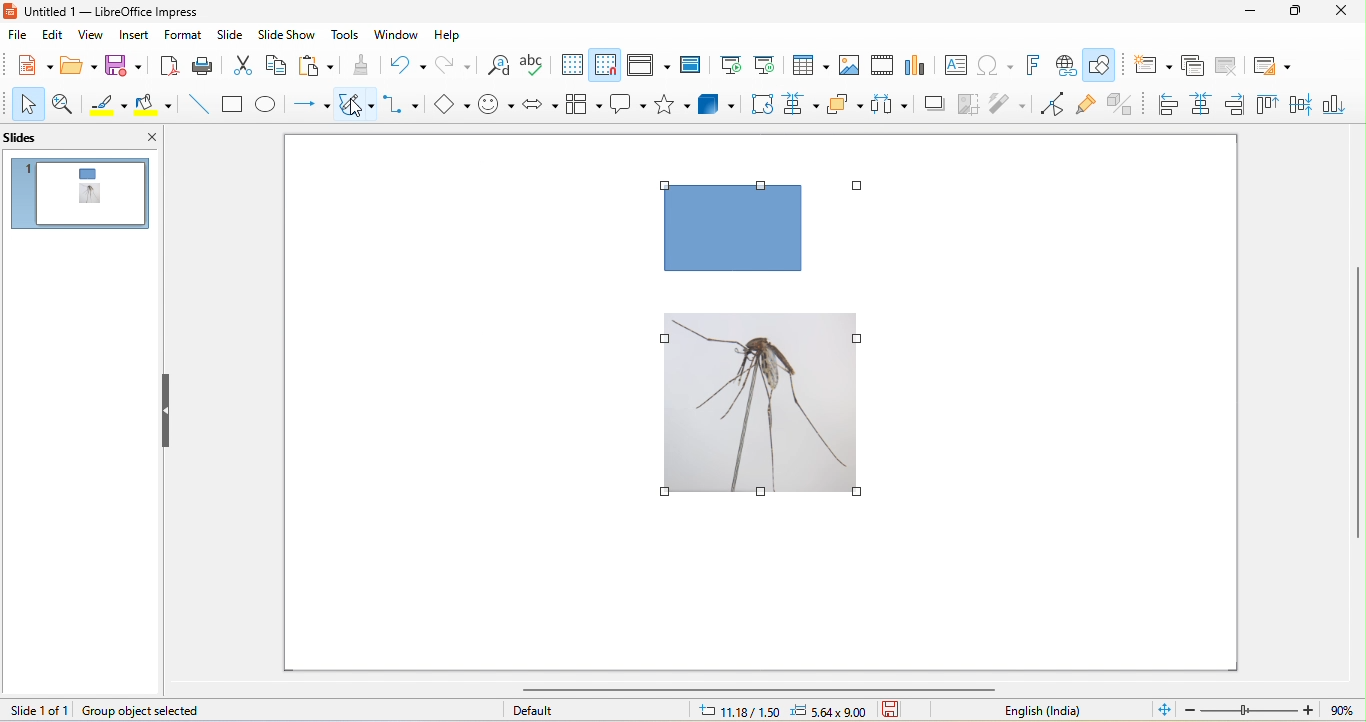 Image resolution: width=1366 pixels, height=722 pixels. I want to click on arrange, so click(847, 106).